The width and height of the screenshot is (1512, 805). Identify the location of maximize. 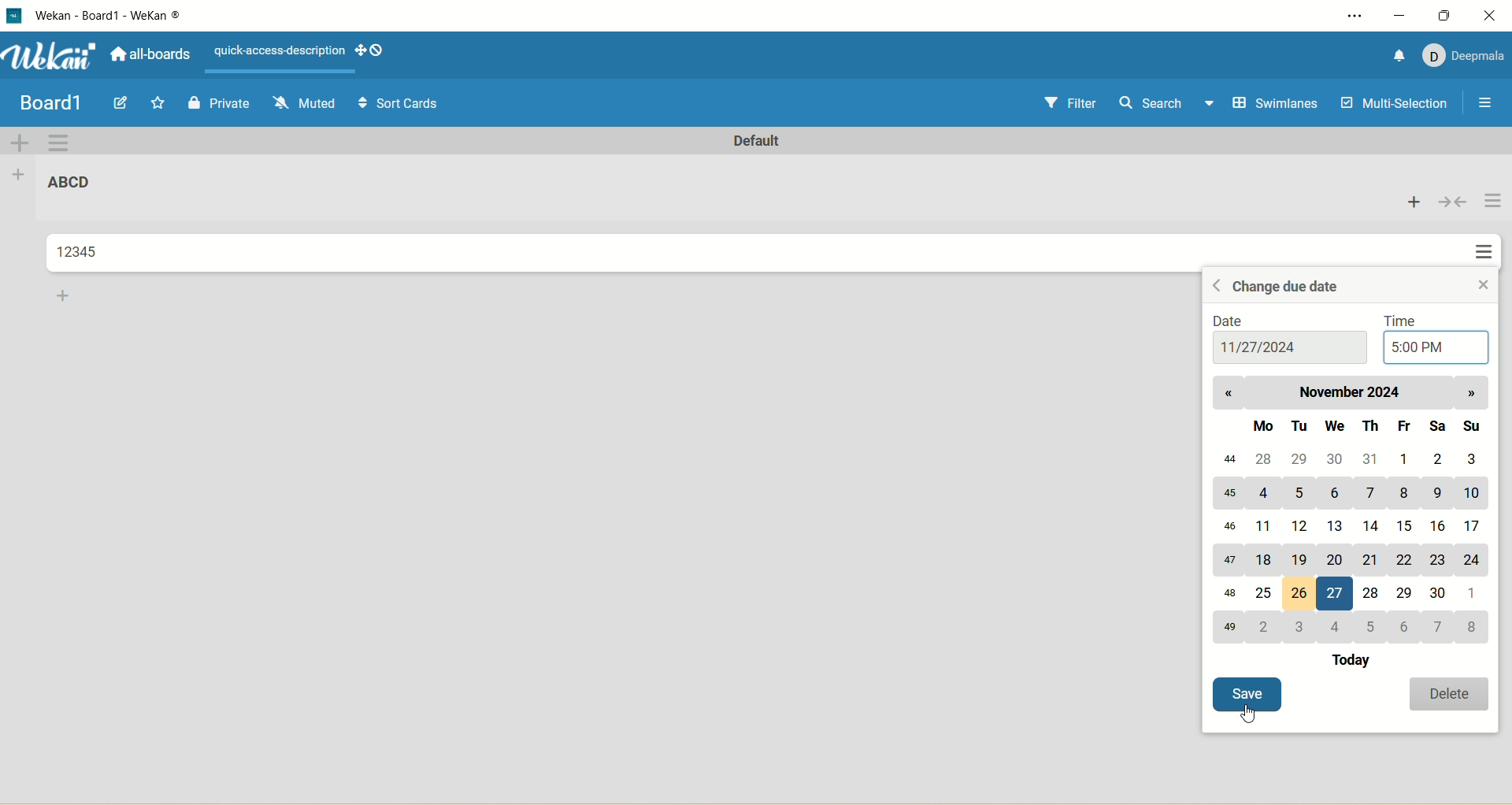
(1447, 15).